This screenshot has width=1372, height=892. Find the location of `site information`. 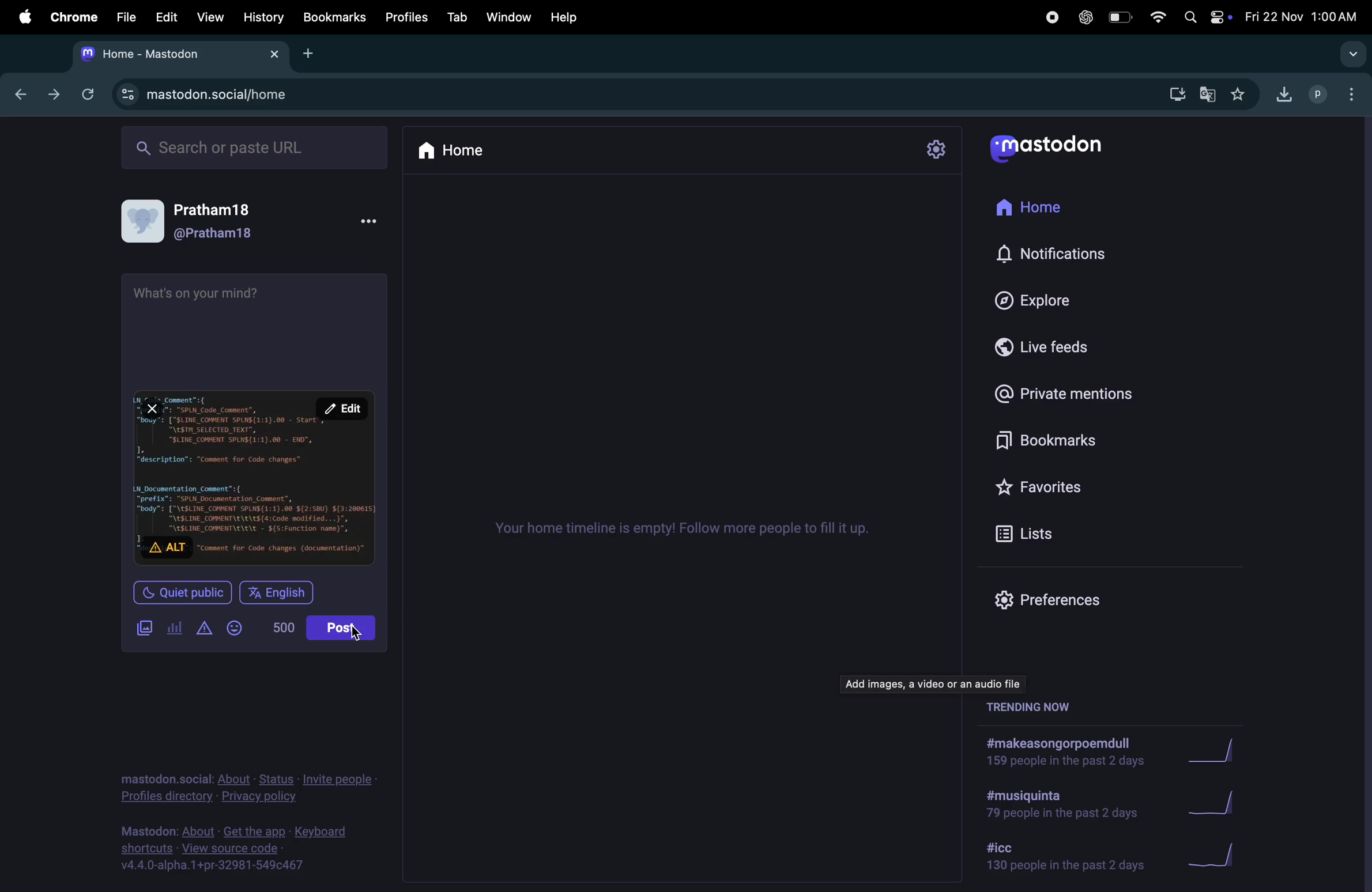

site information is located at coordinates (126, 96).